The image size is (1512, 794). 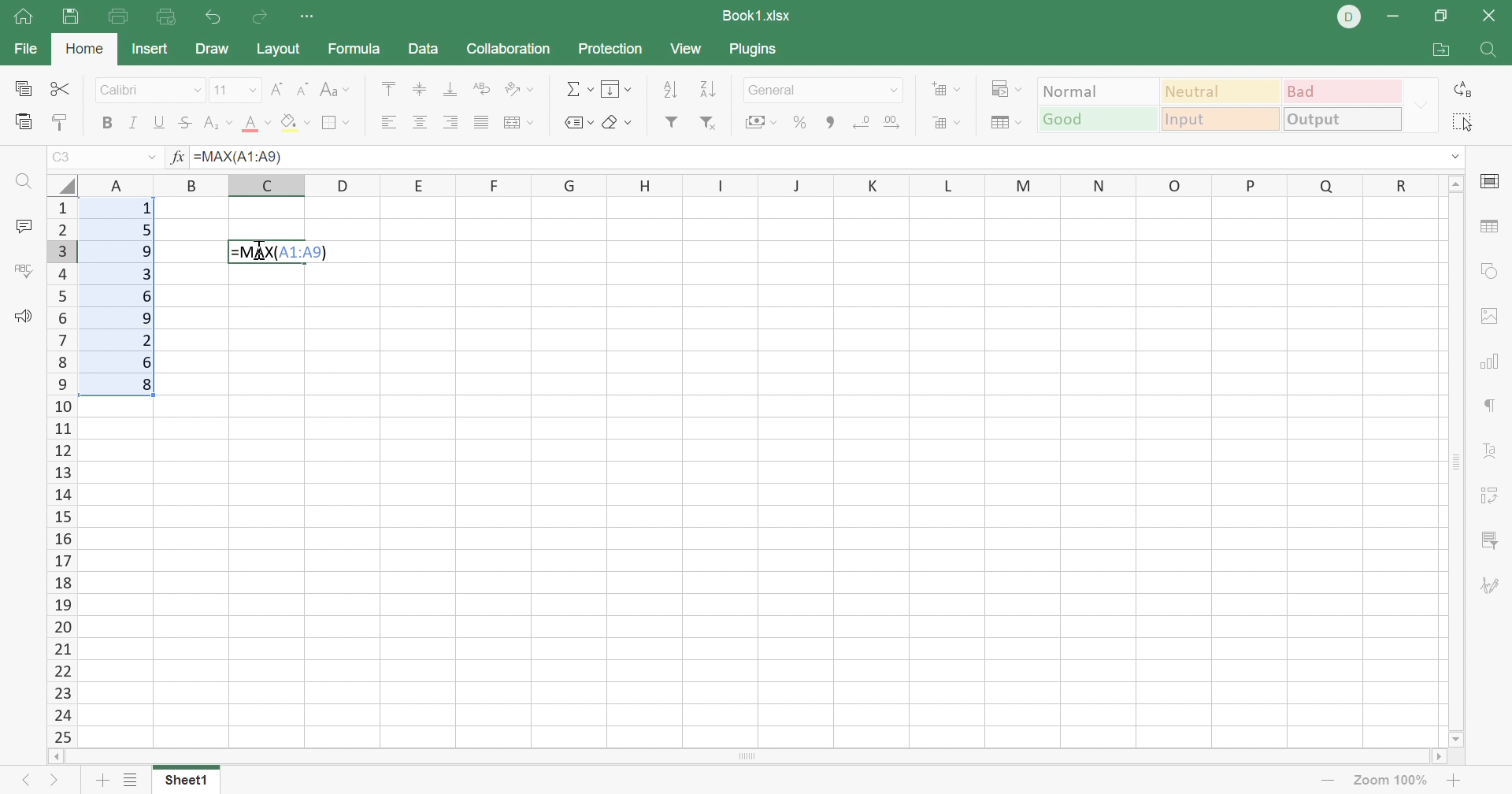 I want to click on Merge and center, so click(x=517, y=124).